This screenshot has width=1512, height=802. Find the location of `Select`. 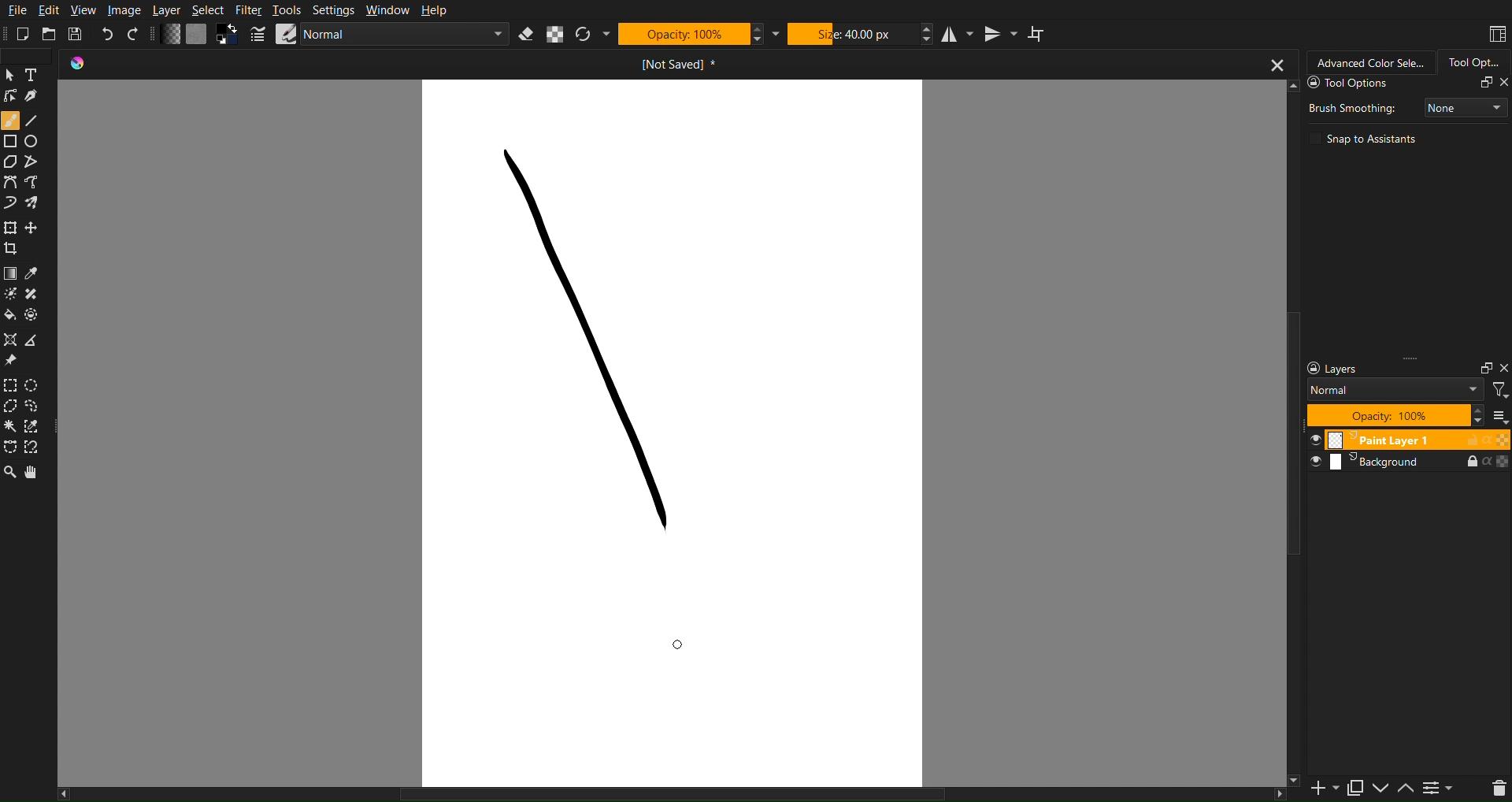

Select is located at coordinates (209, 10).